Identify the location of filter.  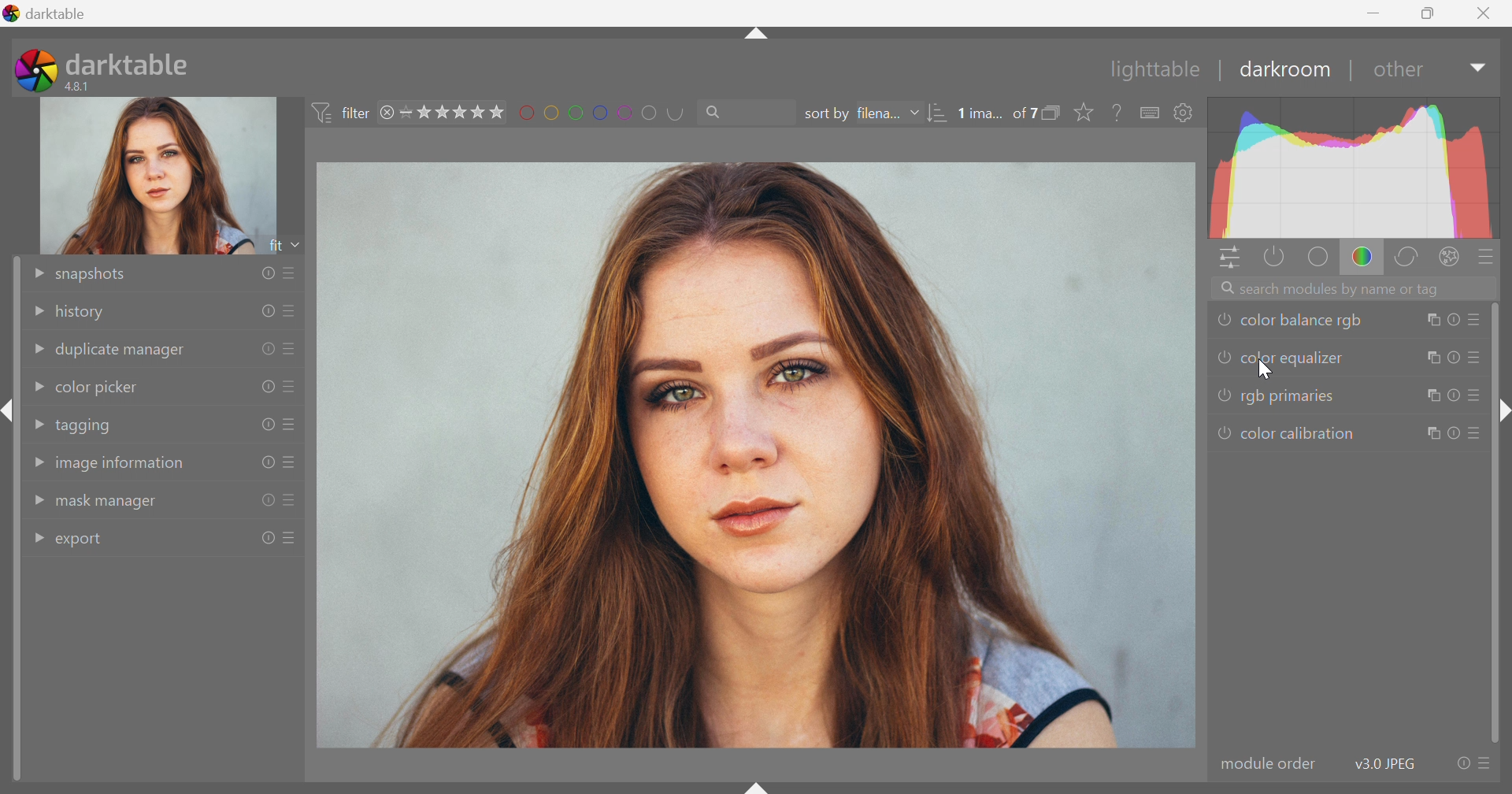
(339, 110).